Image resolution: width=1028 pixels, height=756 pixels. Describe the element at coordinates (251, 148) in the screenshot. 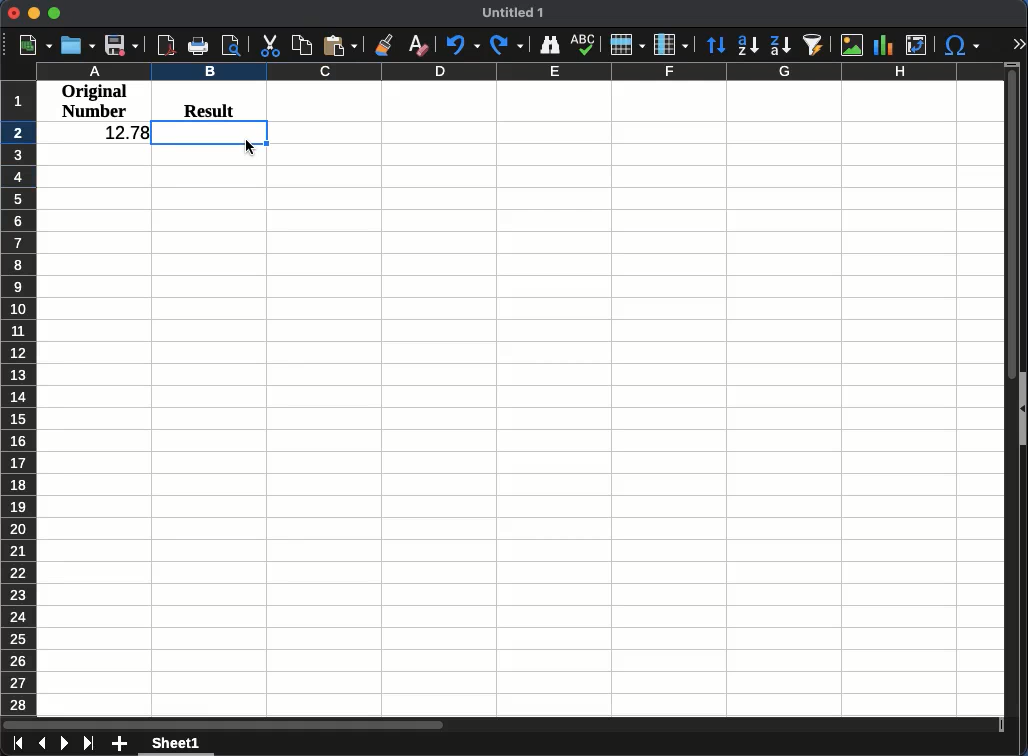

I see `cursor` at that location.